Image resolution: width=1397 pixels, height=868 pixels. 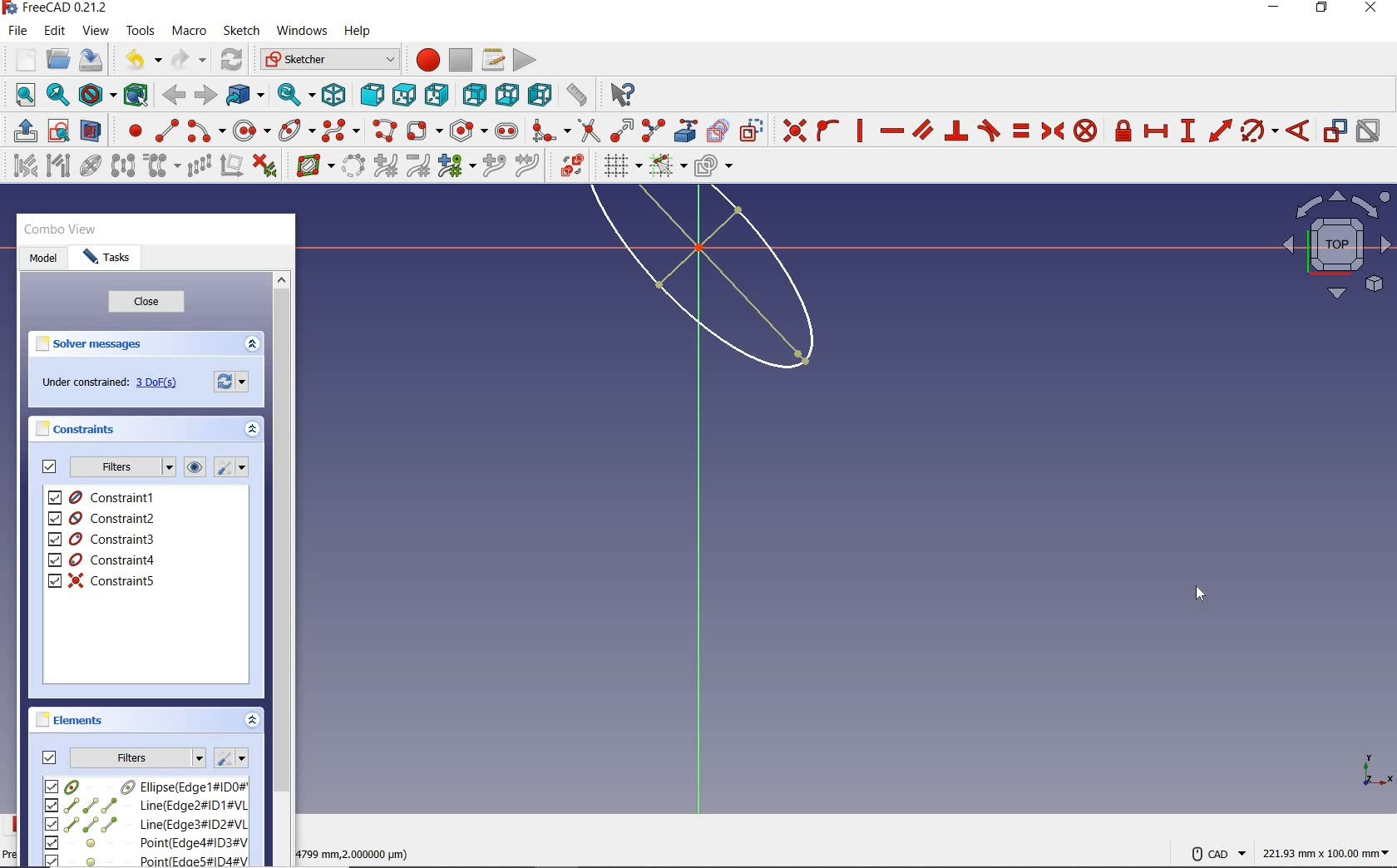 I want to click on clone, so click(x=160, y=166).